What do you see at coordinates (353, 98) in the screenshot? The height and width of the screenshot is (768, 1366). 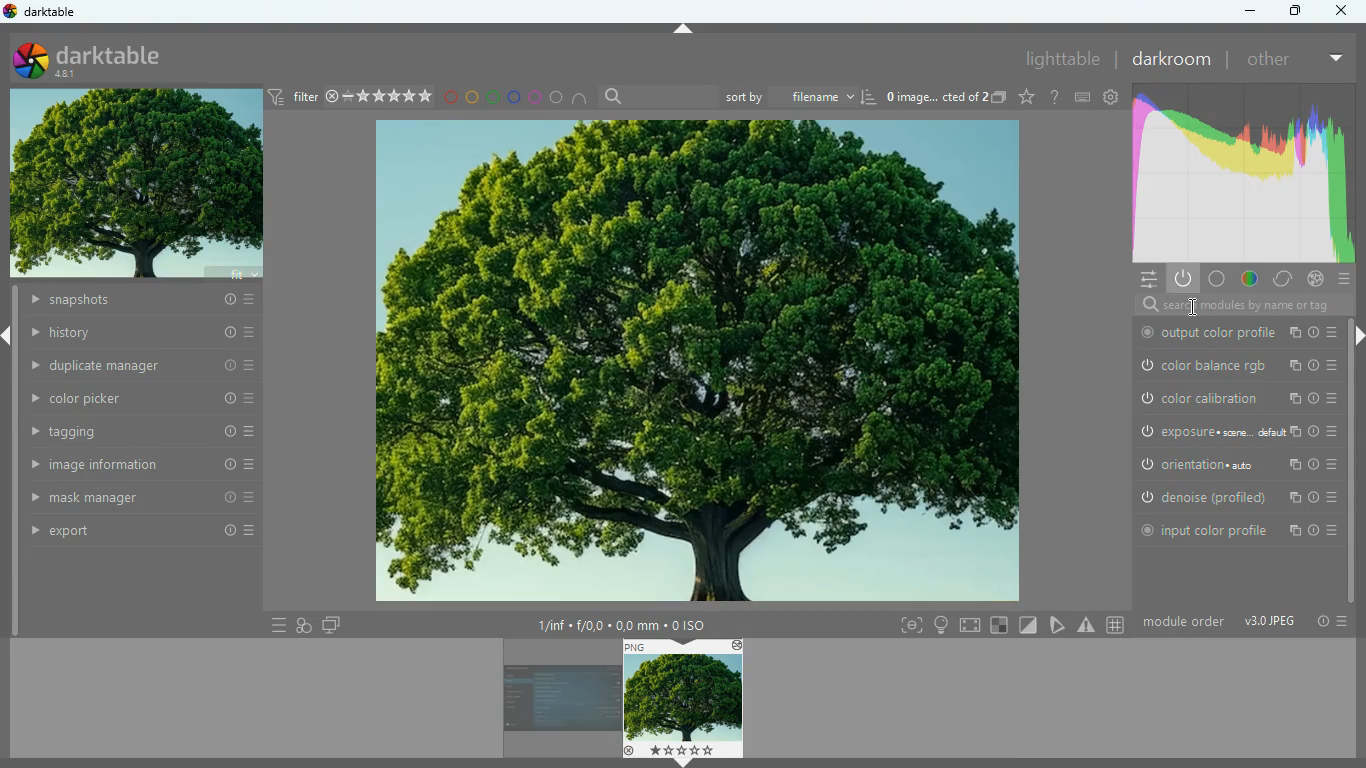 I see `filter` at bounding box center [353, 98].